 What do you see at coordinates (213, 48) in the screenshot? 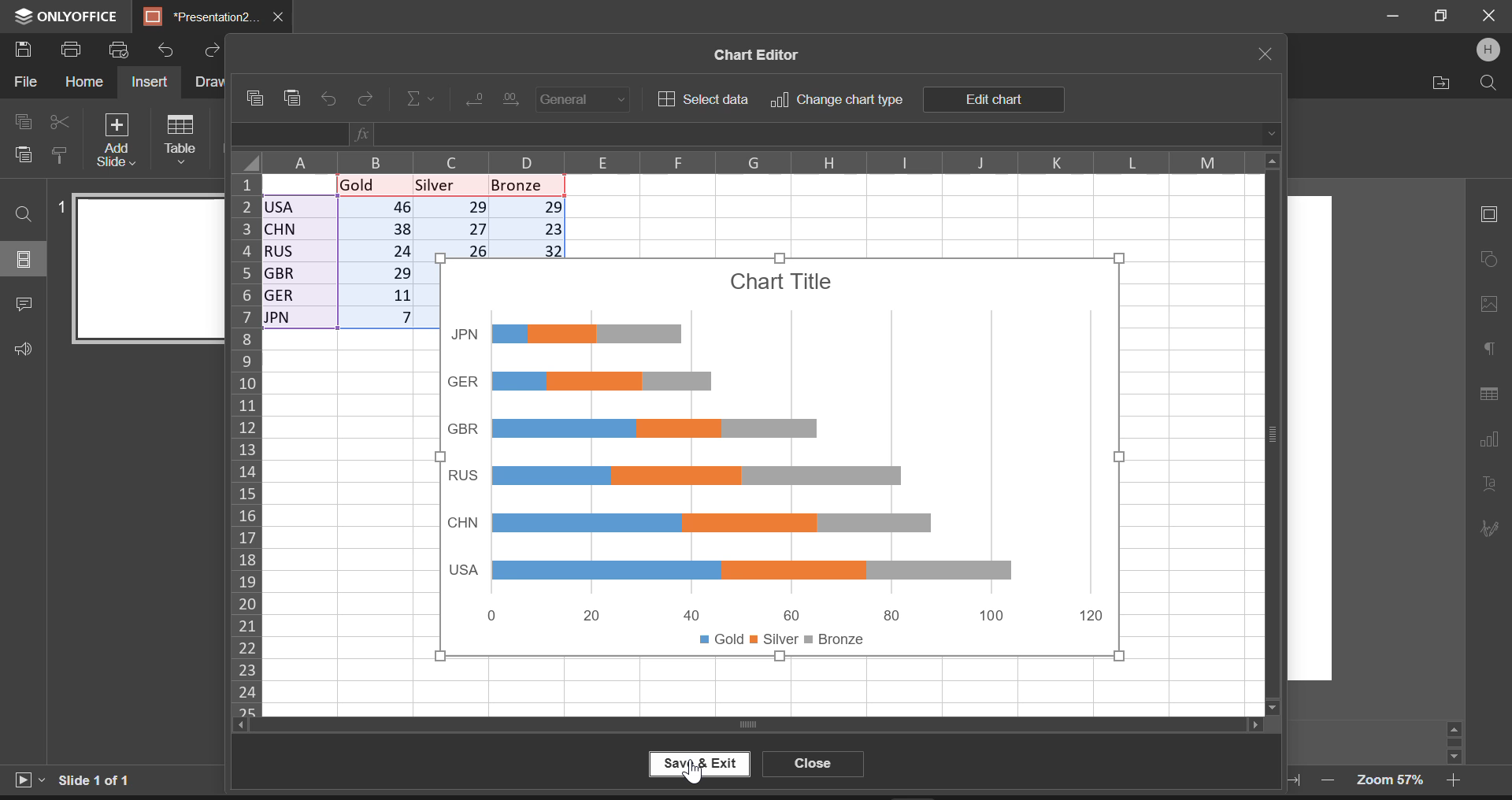
I see `Redo` at bounding box center [213, 48].